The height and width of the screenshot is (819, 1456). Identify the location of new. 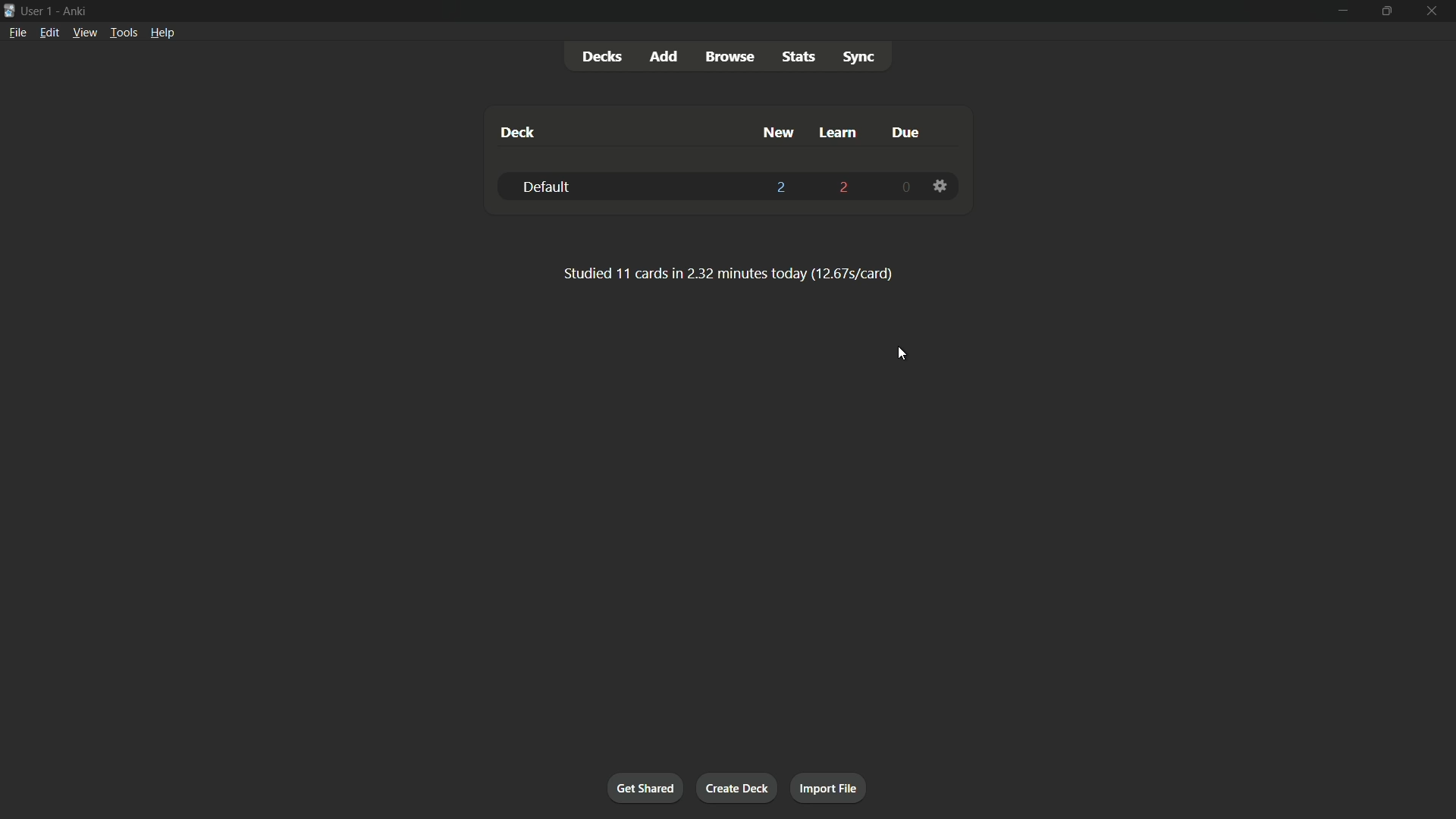
(777, 134).